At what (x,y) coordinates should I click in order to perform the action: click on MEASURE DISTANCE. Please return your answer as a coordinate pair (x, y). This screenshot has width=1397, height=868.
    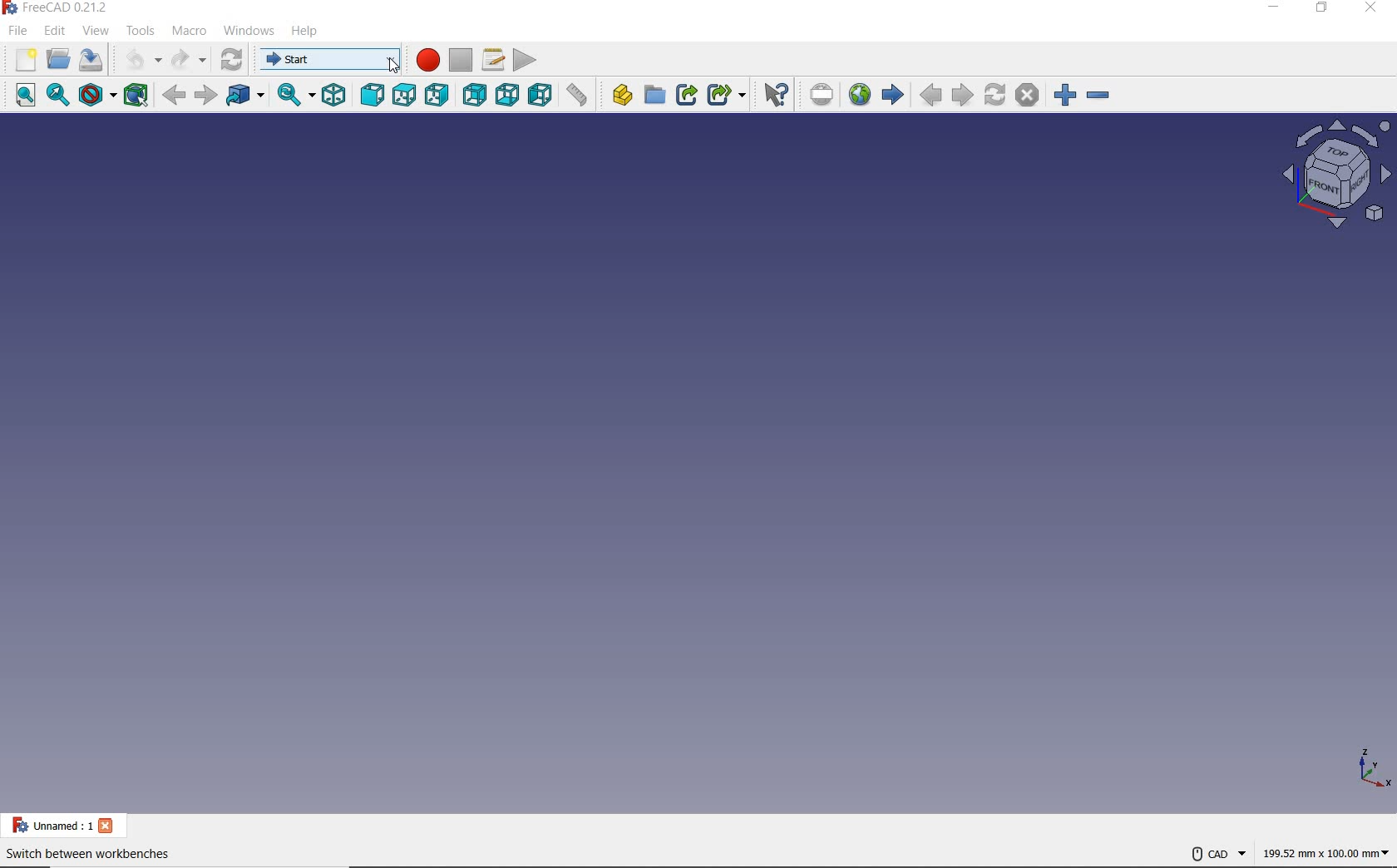
    Looking at the image, I should click on (577, 95).